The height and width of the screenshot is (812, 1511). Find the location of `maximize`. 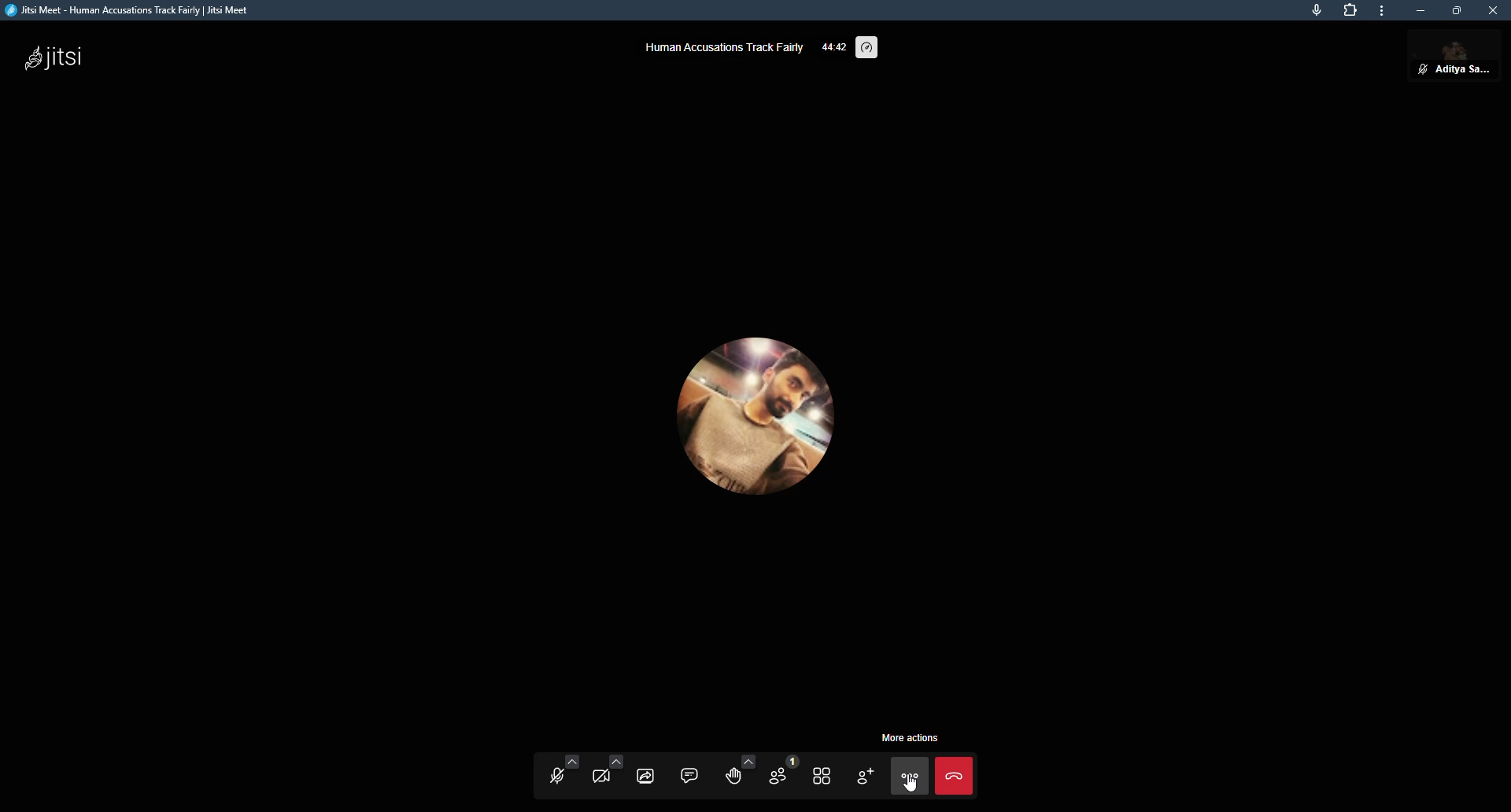

maximize is located at coordinates (1457, 10).